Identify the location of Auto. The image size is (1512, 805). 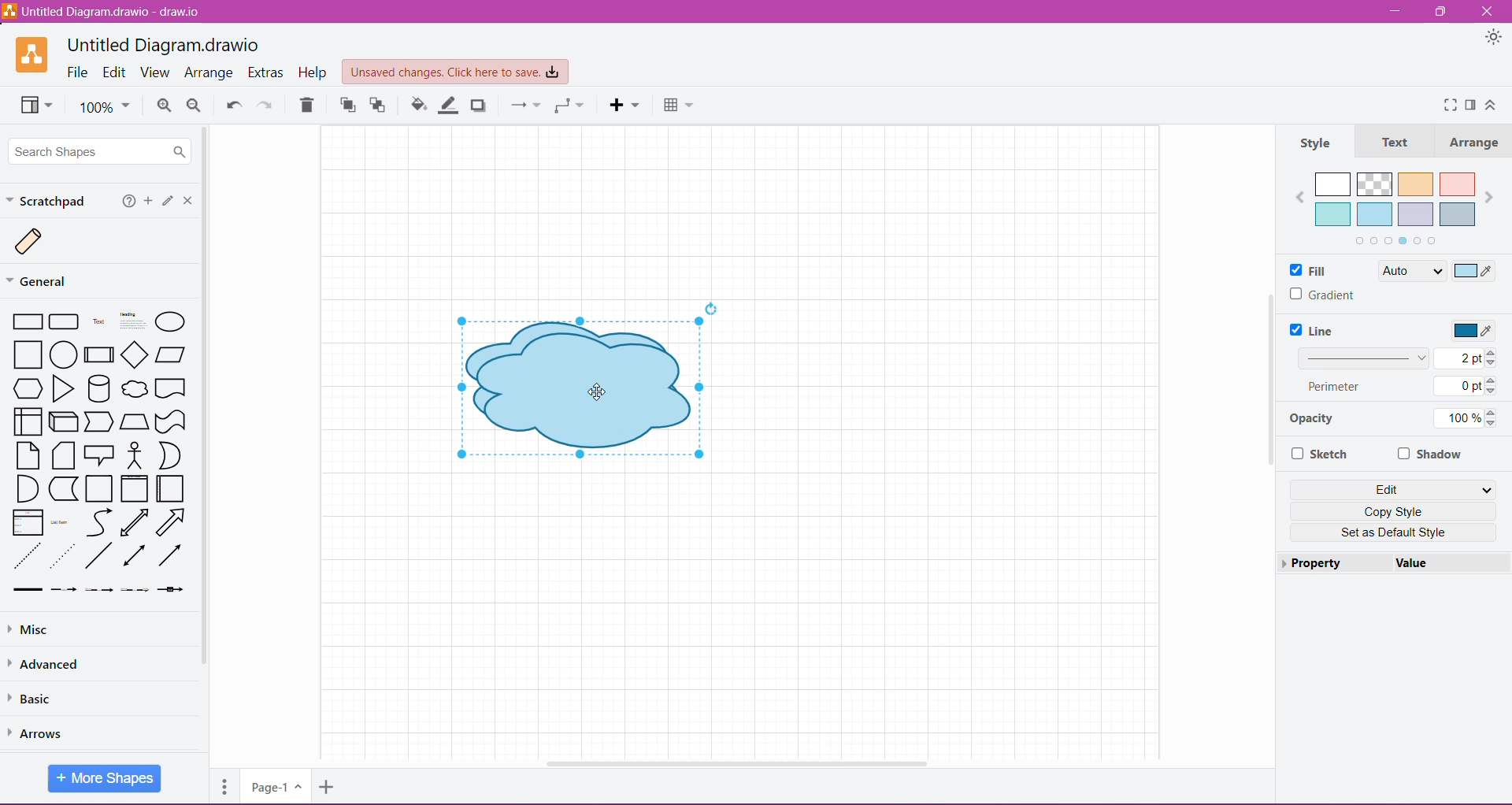
(1411, 271).